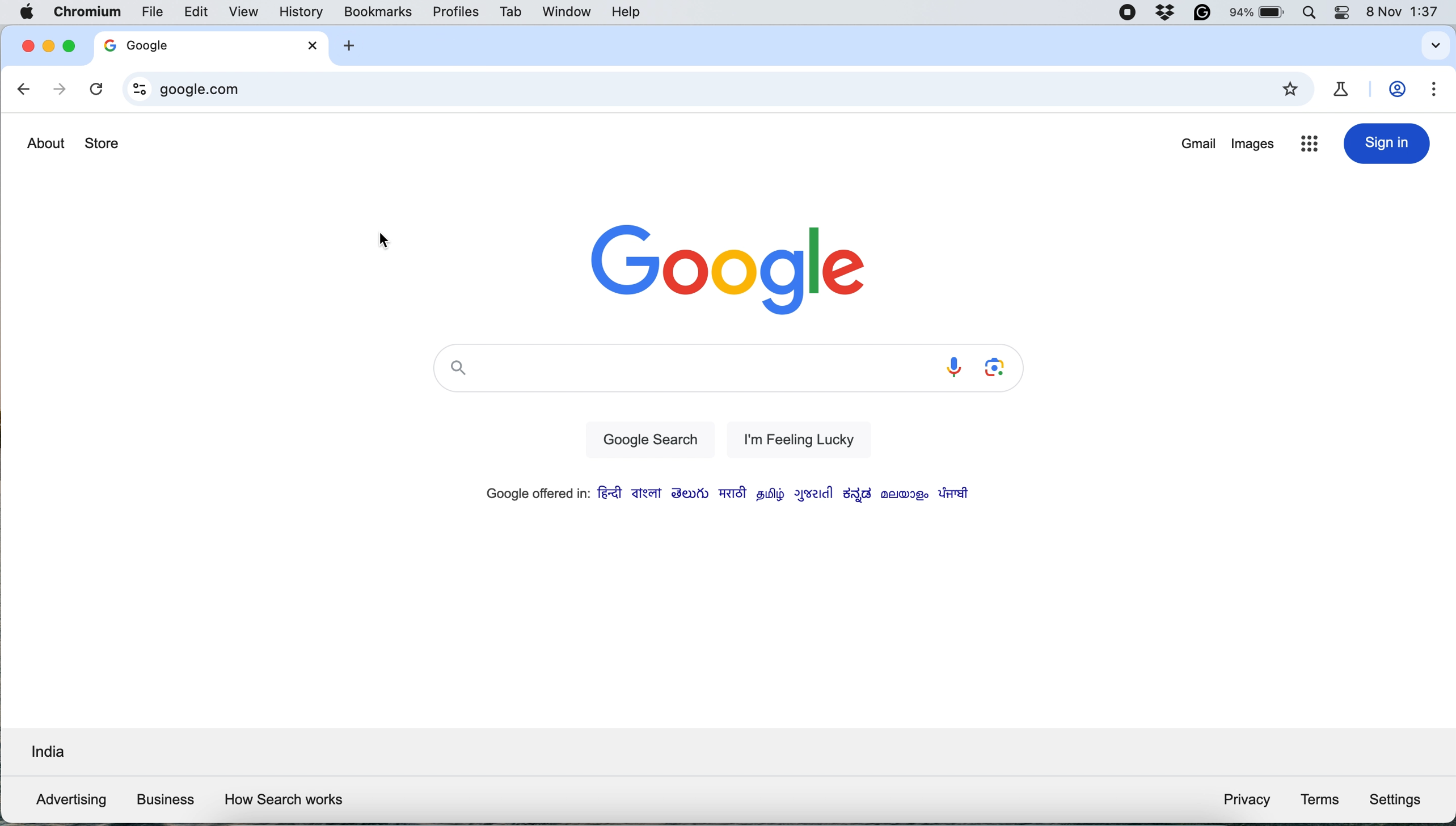 The height and width of the screenshot is (826, 1456). I want to click on minimise, so click(47, 49).